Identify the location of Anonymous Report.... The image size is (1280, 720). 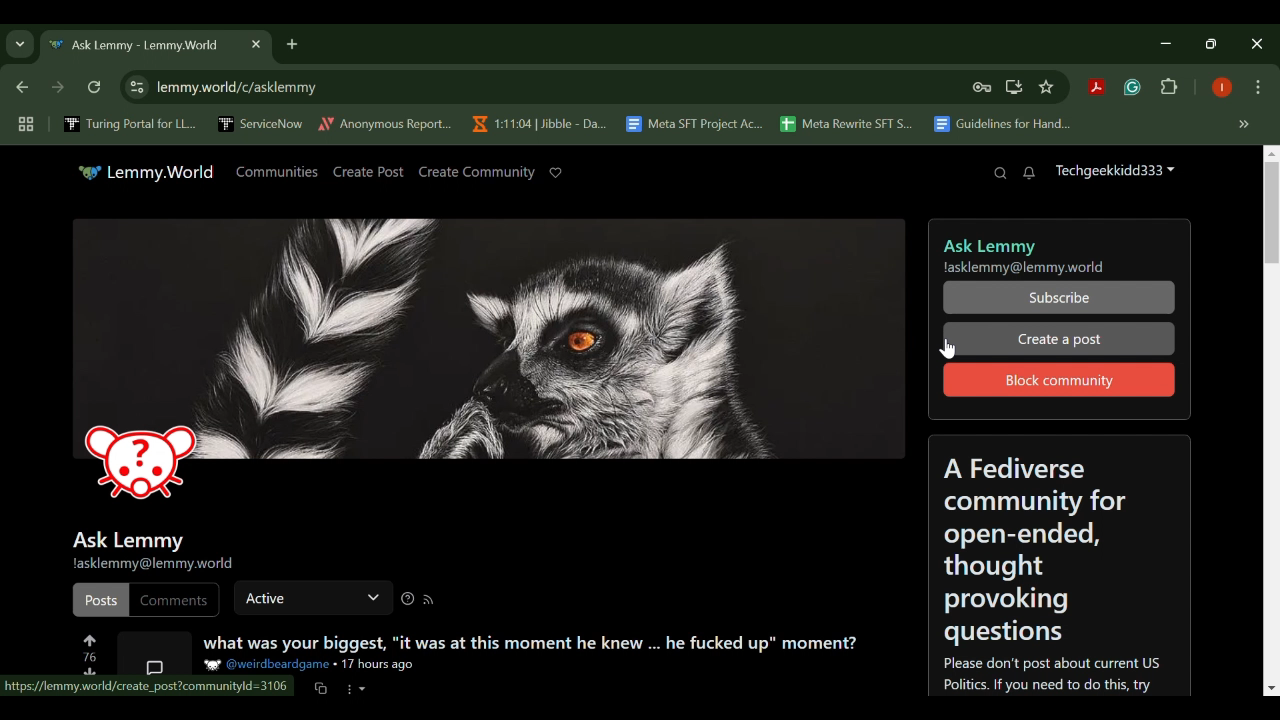
(386, 123).